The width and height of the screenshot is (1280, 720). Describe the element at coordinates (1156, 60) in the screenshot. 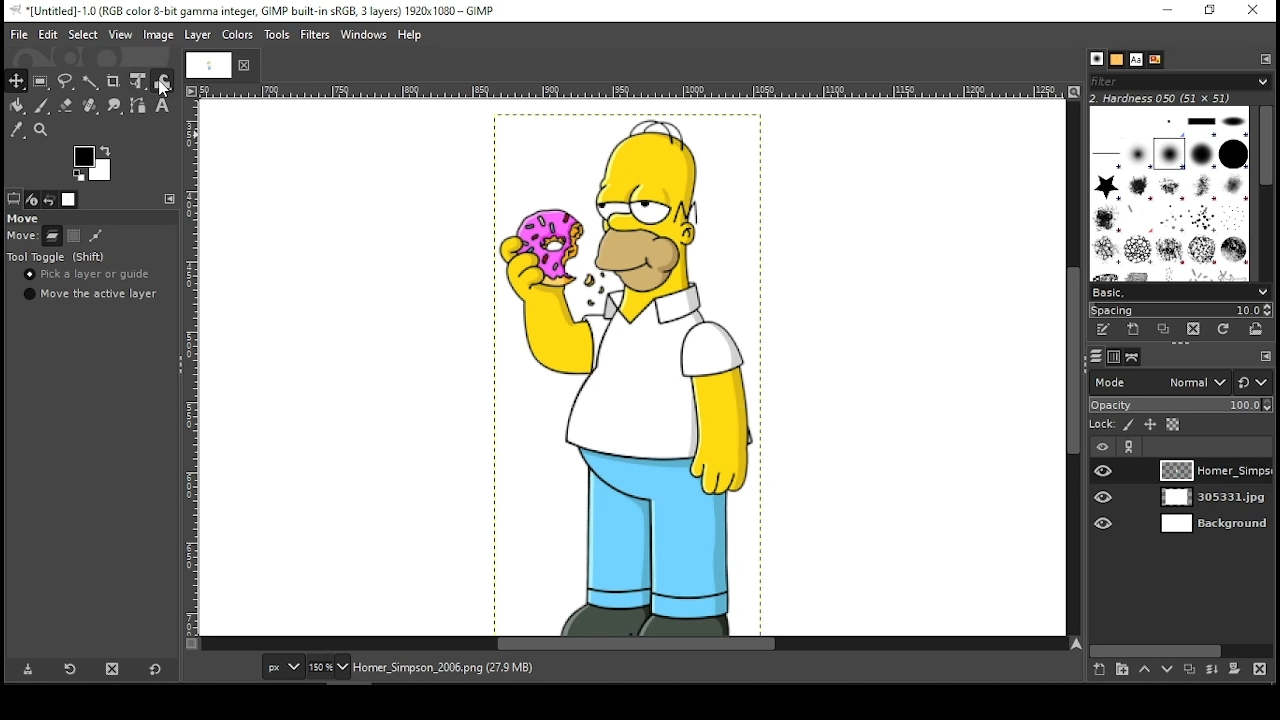

I see `document history` at that location.